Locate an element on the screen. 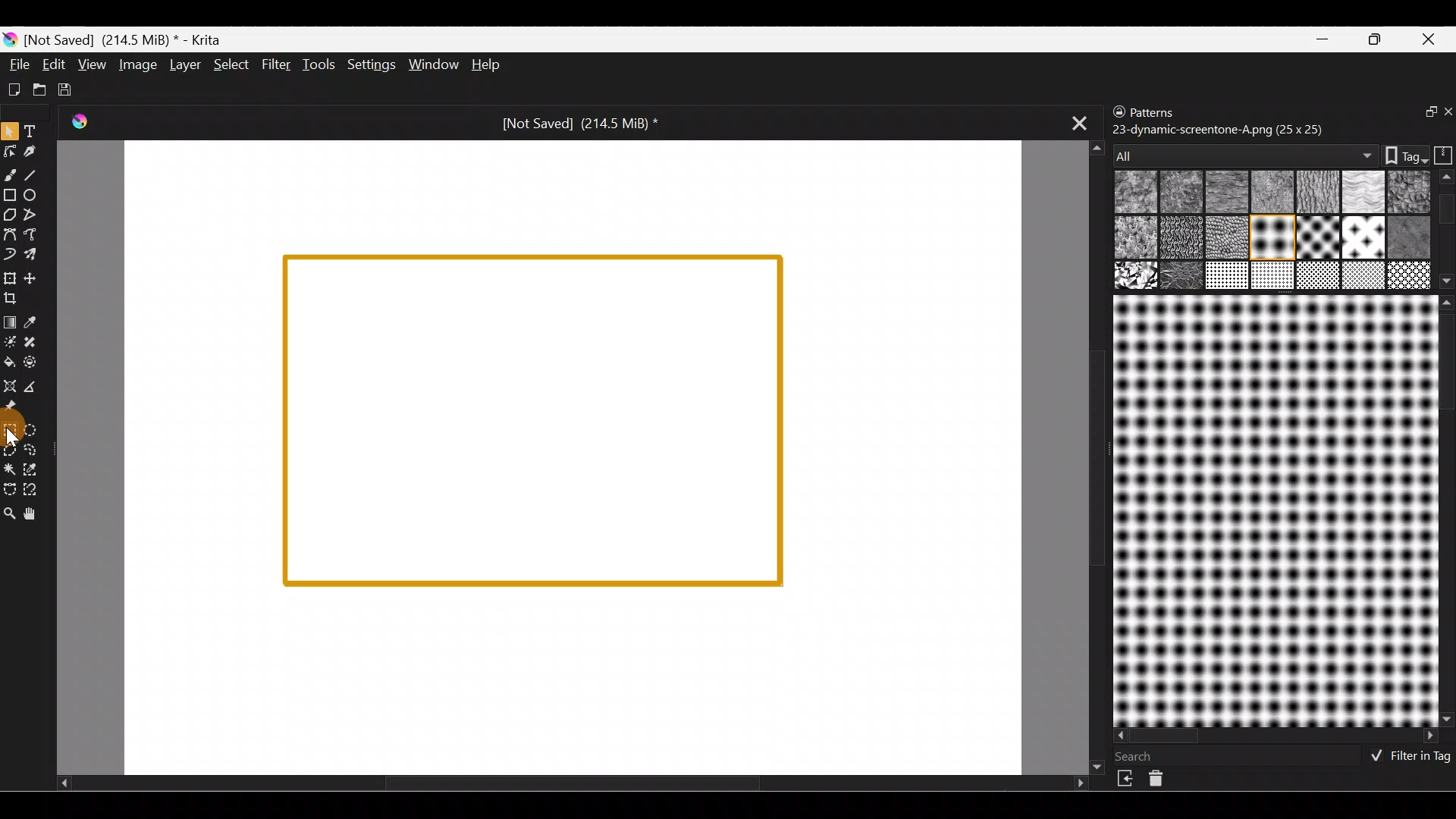 The height and width of the screenshot is (819, 1456). Elliptical selection tool is located at coordinates (35, 429).